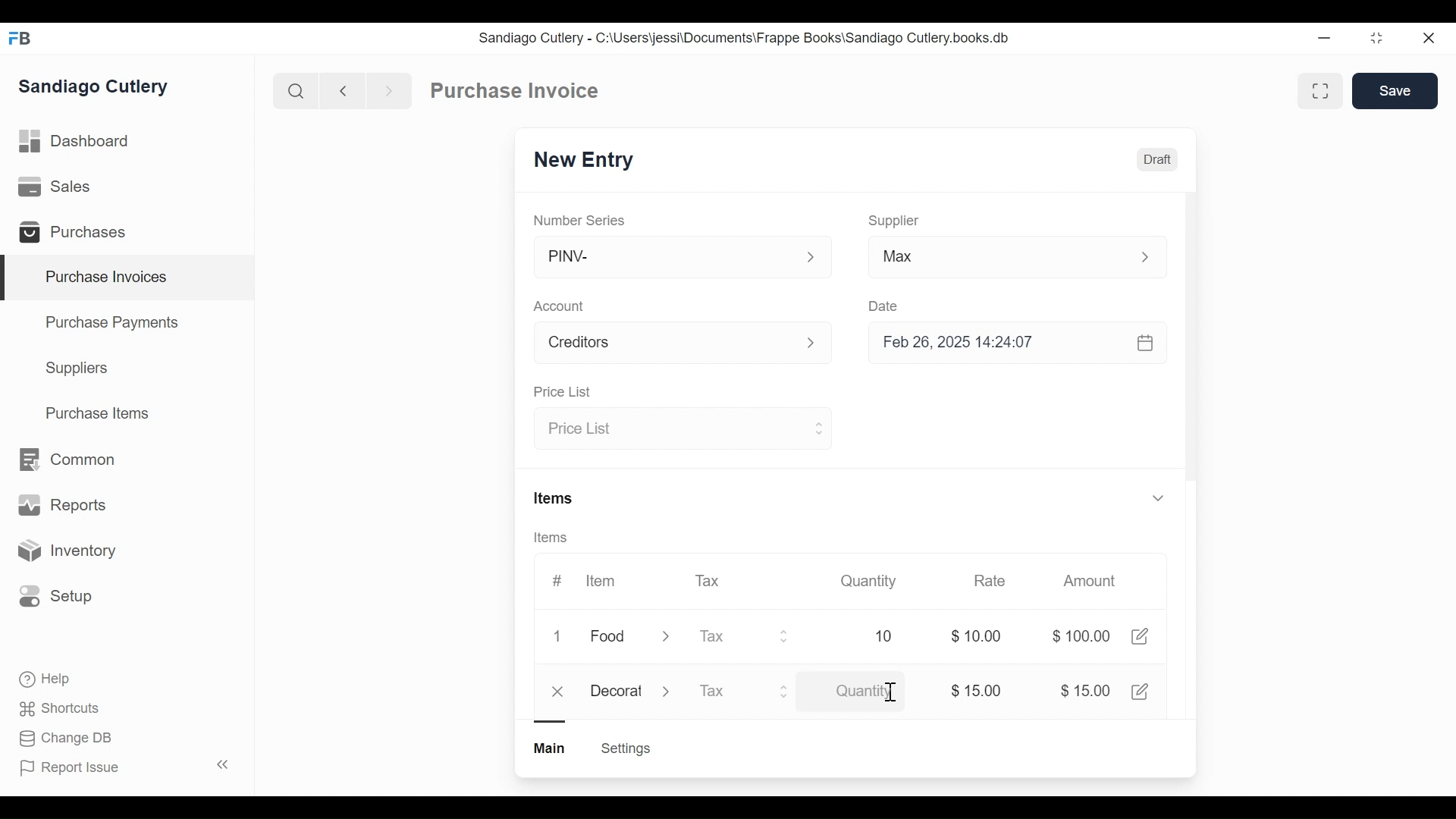 The height and width of the screenshot is (819, 1456). I want to click on Purchase Payments, so click(115, 325).